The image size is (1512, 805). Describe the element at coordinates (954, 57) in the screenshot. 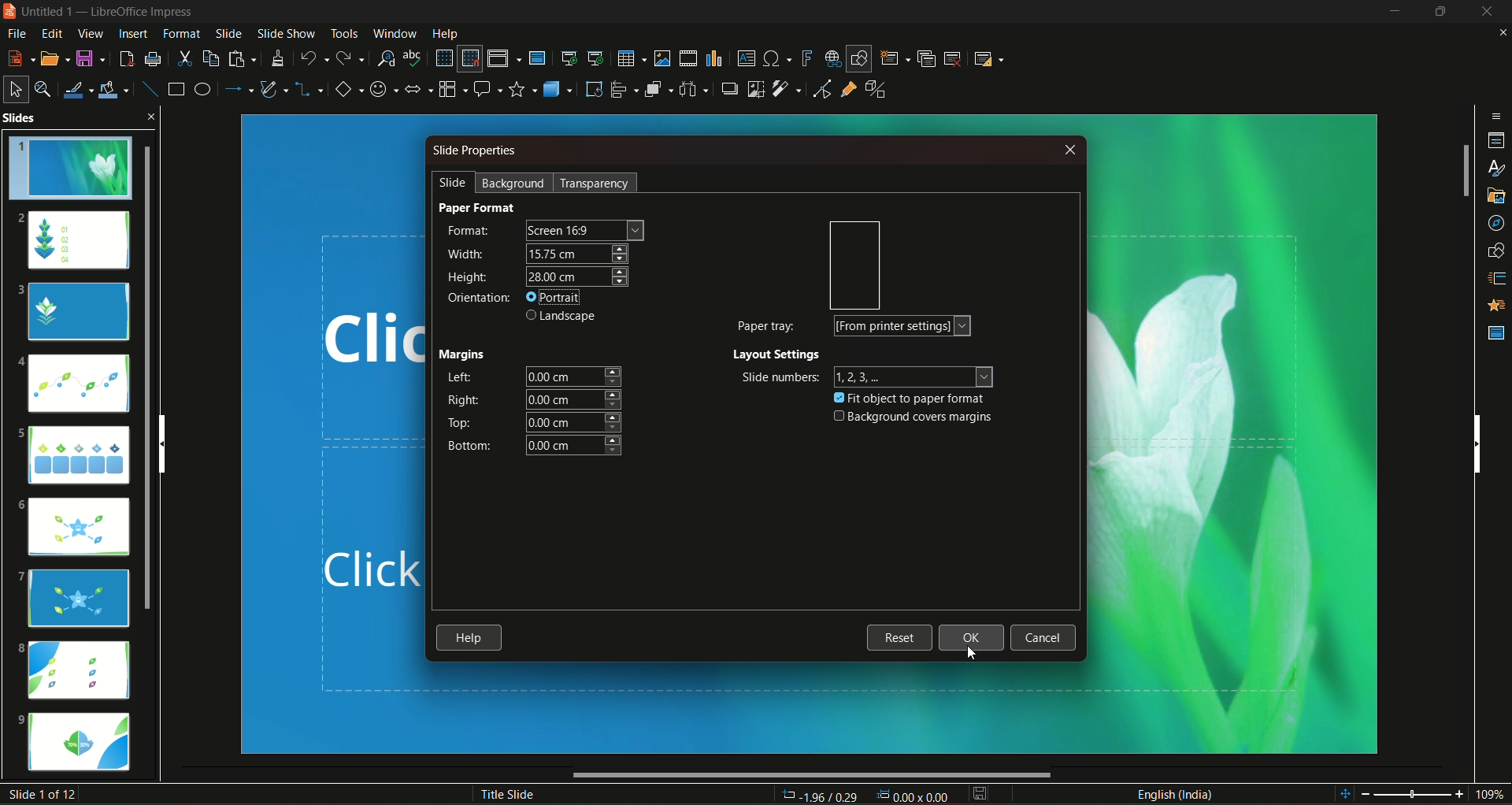

I see `slide delete` at that location.